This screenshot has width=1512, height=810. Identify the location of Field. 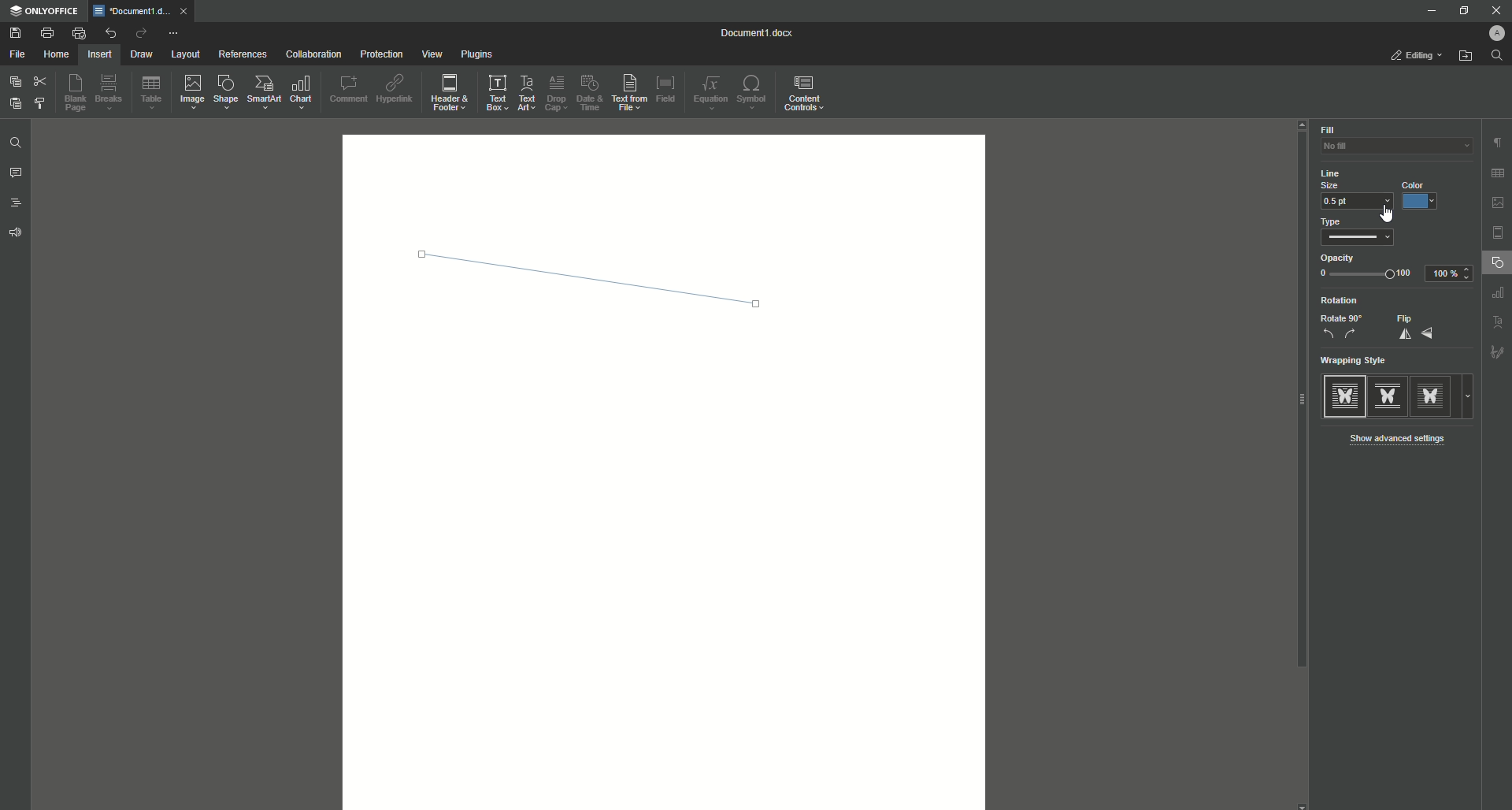
(667, 88).